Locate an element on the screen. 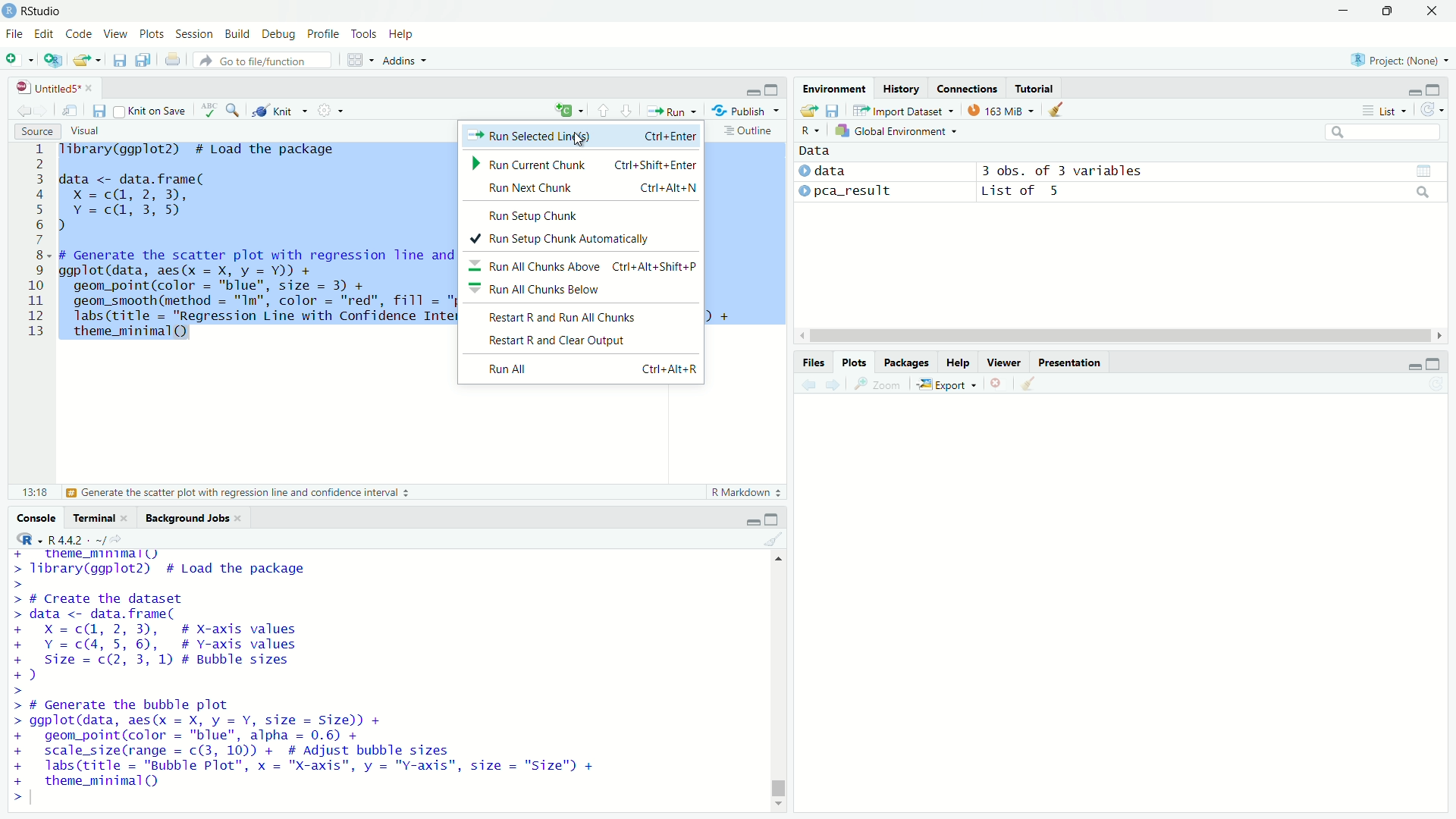 Image resolution: width=1456 pixels, height=819 pixels. New file is located at coordinates (18, 58).